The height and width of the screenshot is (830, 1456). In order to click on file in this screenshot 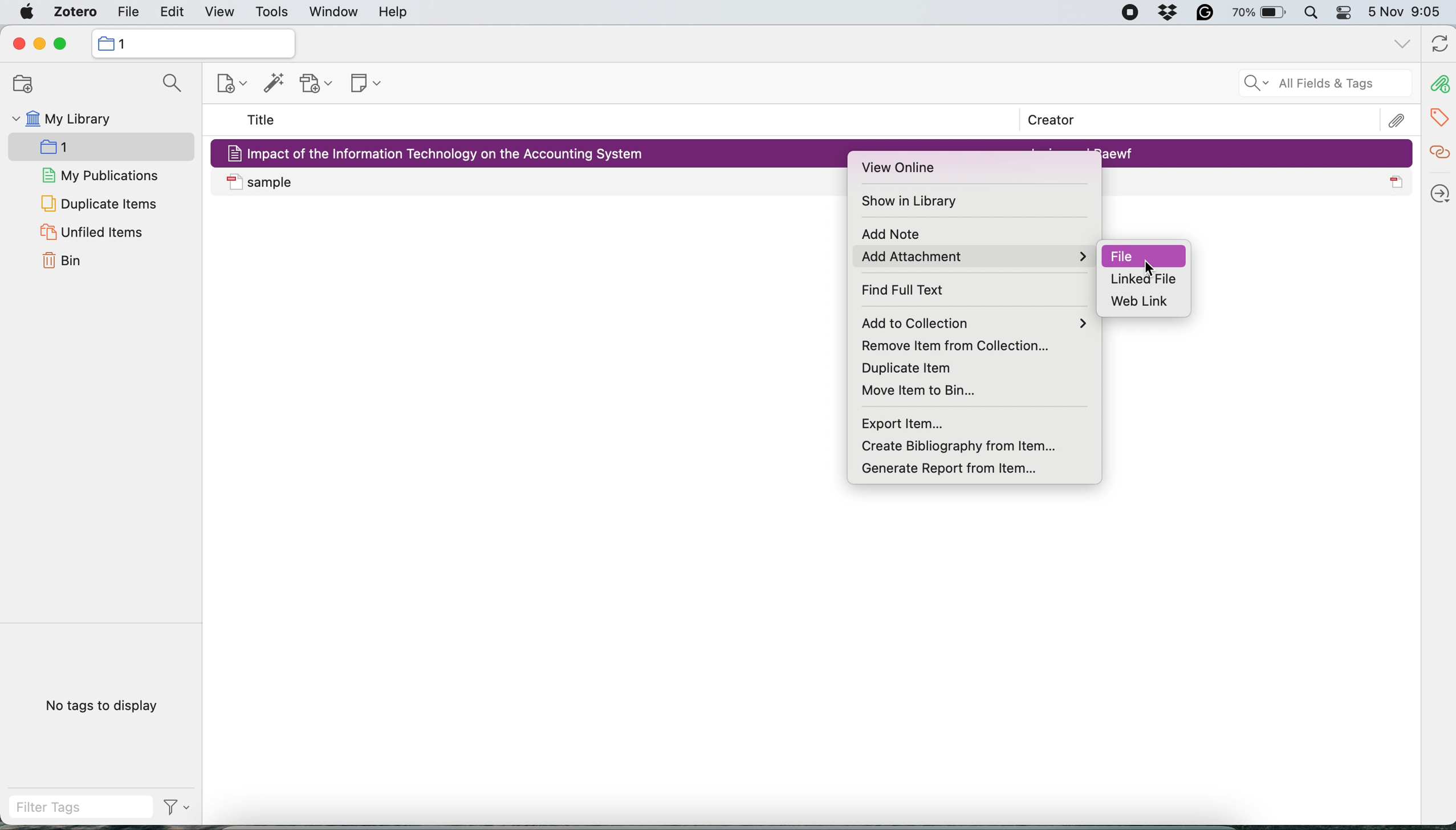, I will do `click(1149, 254)`.